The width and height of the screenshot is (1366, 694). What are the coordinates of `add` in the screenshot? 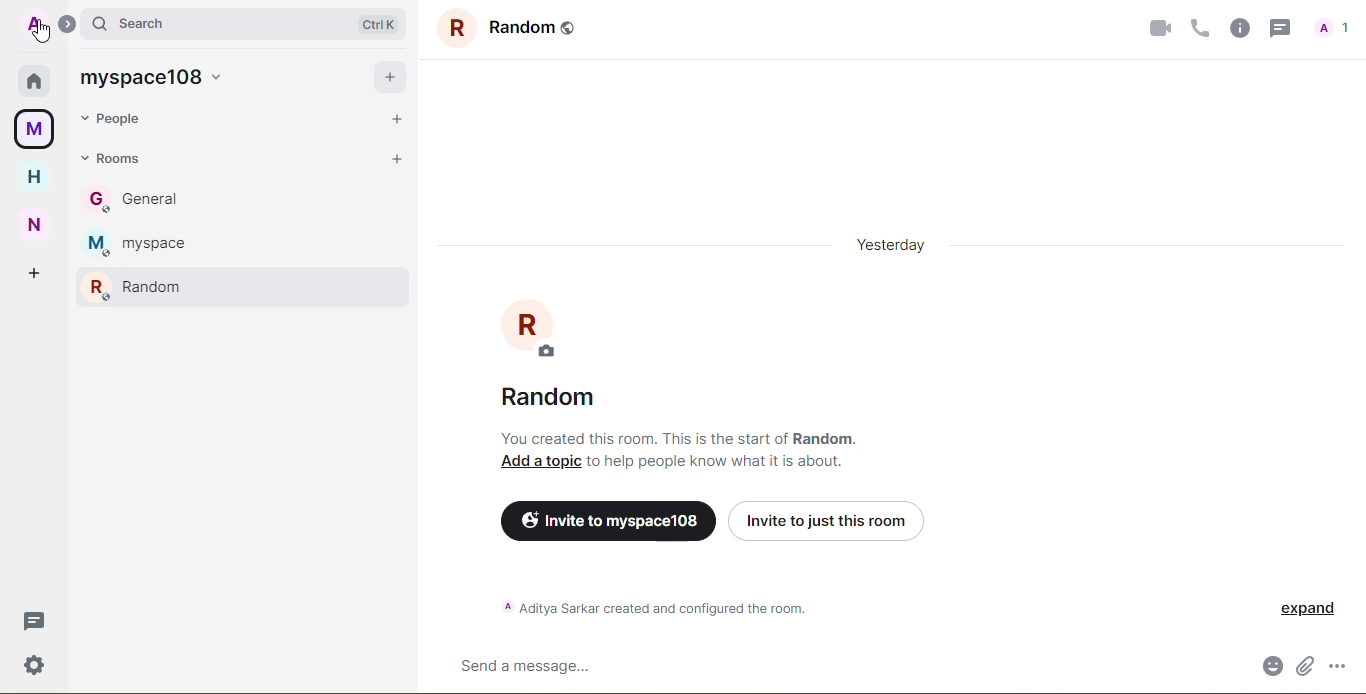 It's located at (398, 118).